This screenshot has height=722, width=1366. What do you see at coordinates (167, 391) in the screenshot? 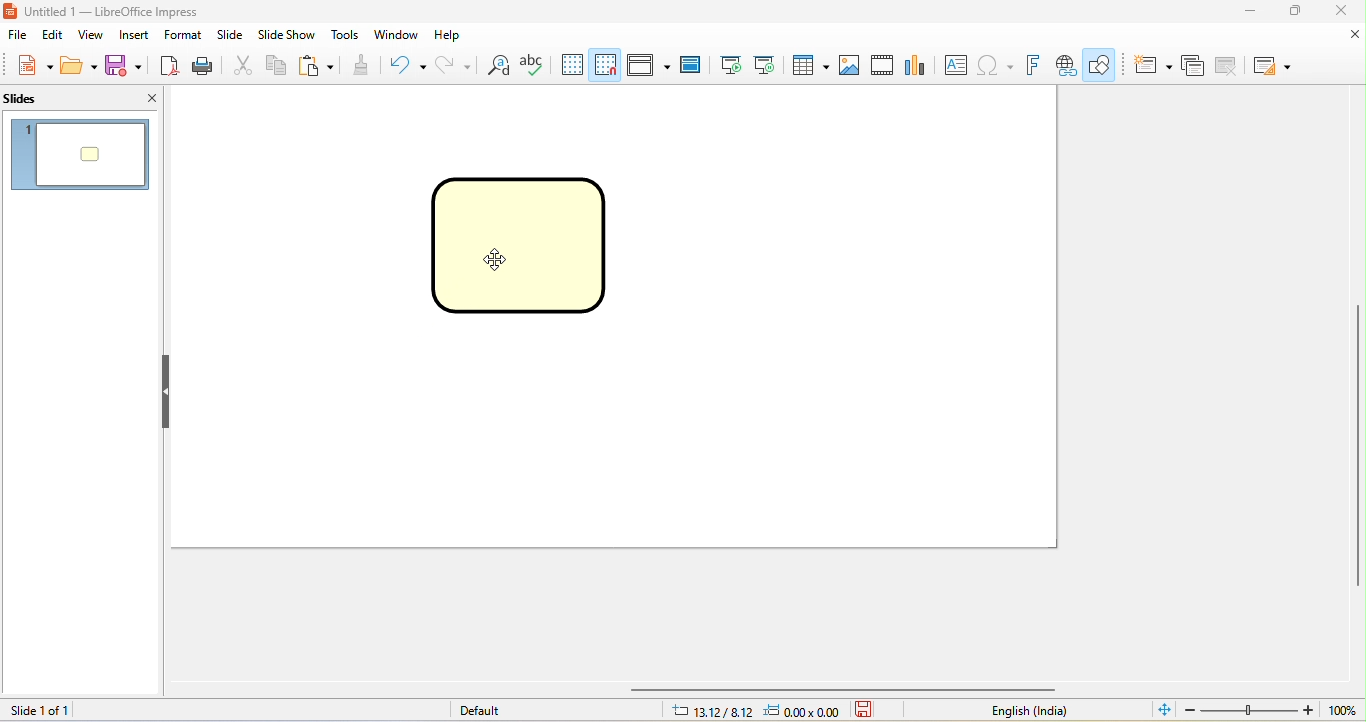
I see `hide` at bounding box center [167, 391].